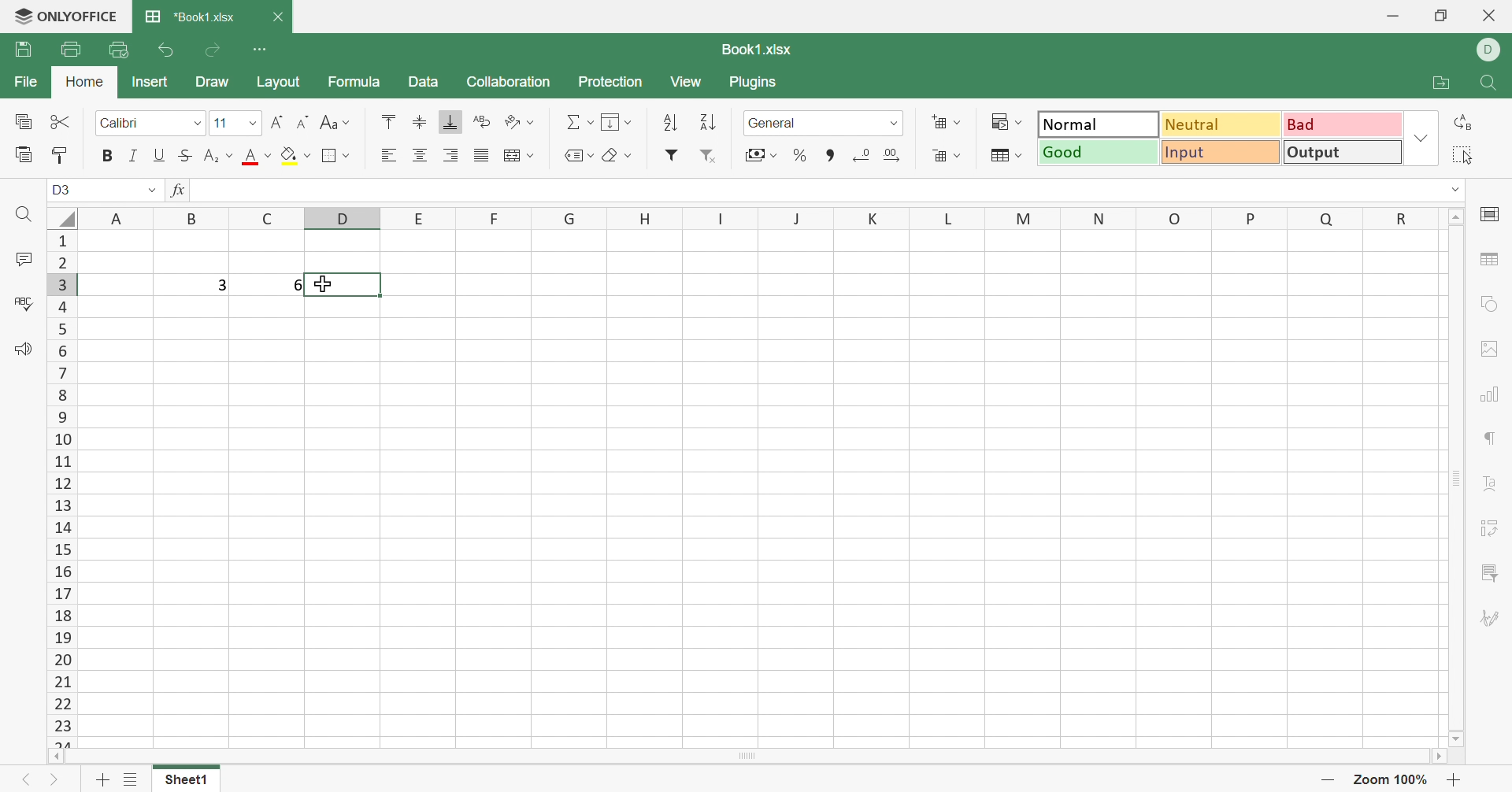  What do you see at coordinates (685, 80) in the screenshot?
I see `View` at bounding box center [685, 80].